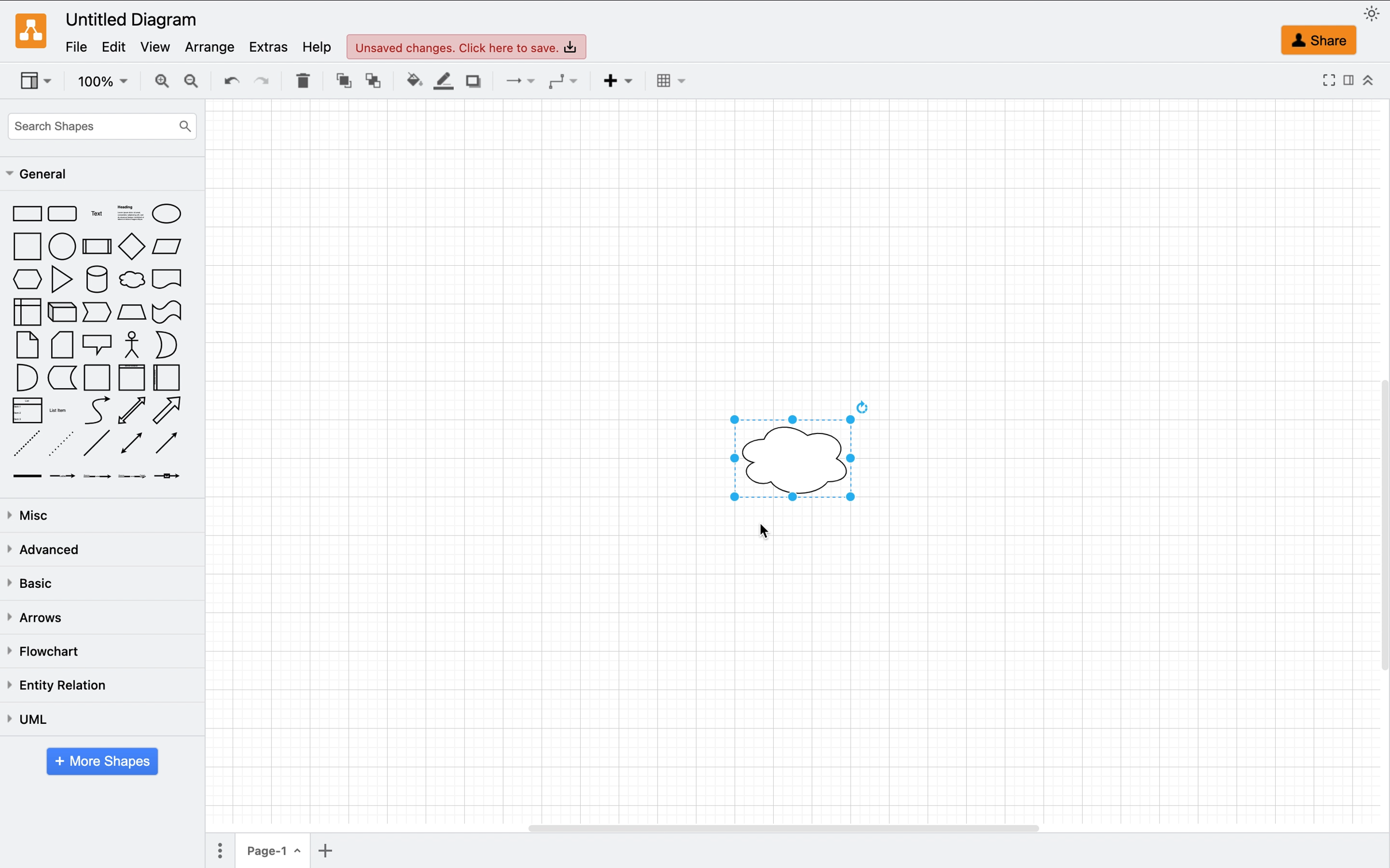 The width and height of the screenshot is (1390, 868). What do you see at coordinates (340, 82) in the screenshot?
I see `to front` at bounding box center [340, 82].